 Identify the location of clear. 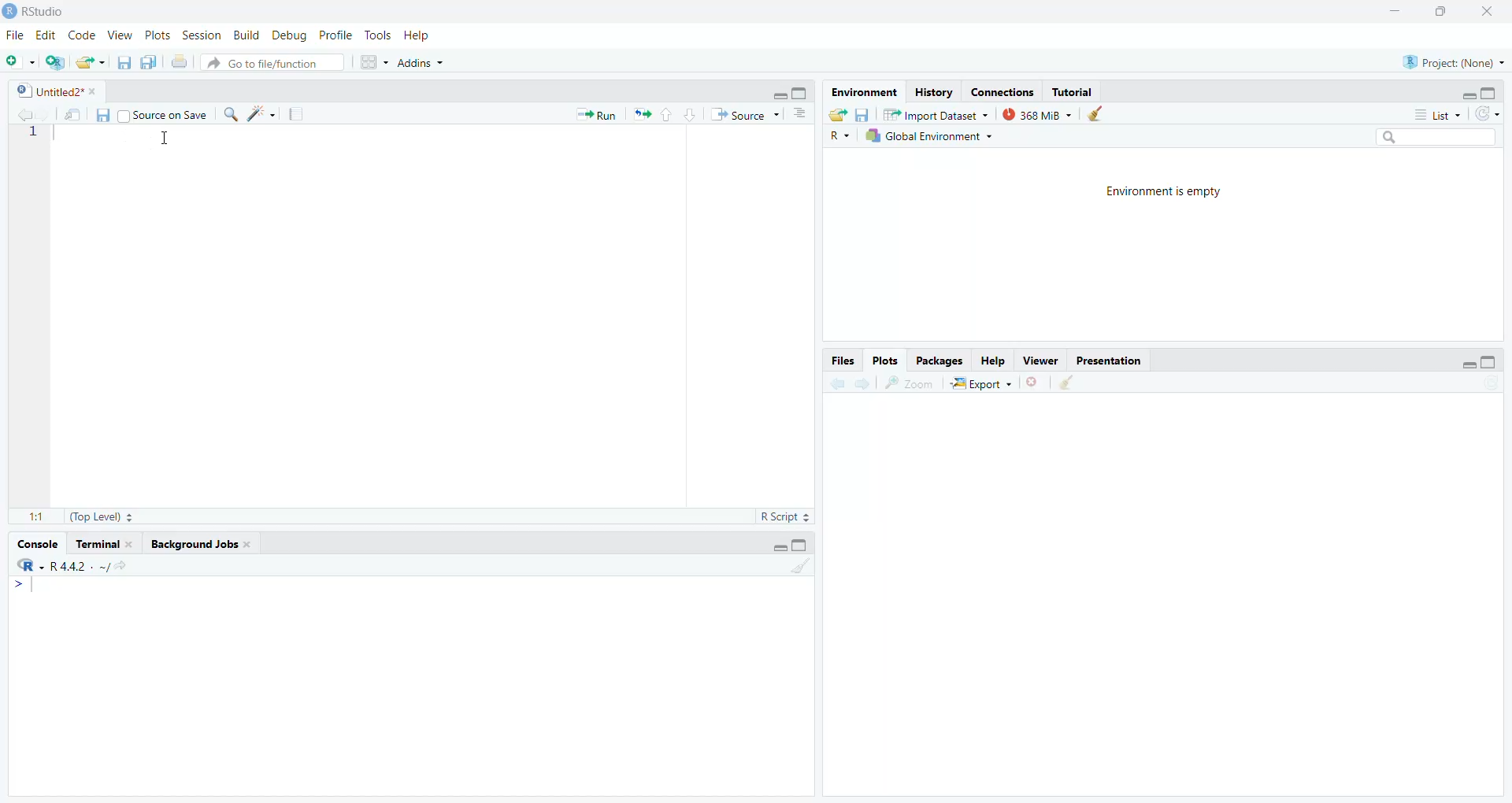
(801, 571).